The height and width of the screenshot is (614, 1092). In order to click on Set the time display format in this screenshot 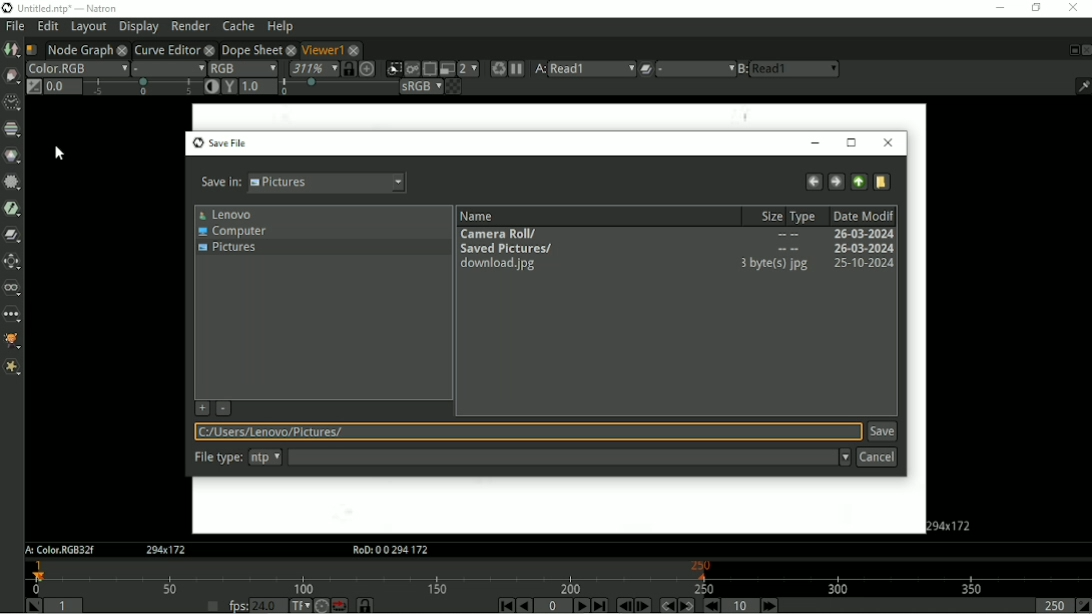, I will do `click(299, 606)`.